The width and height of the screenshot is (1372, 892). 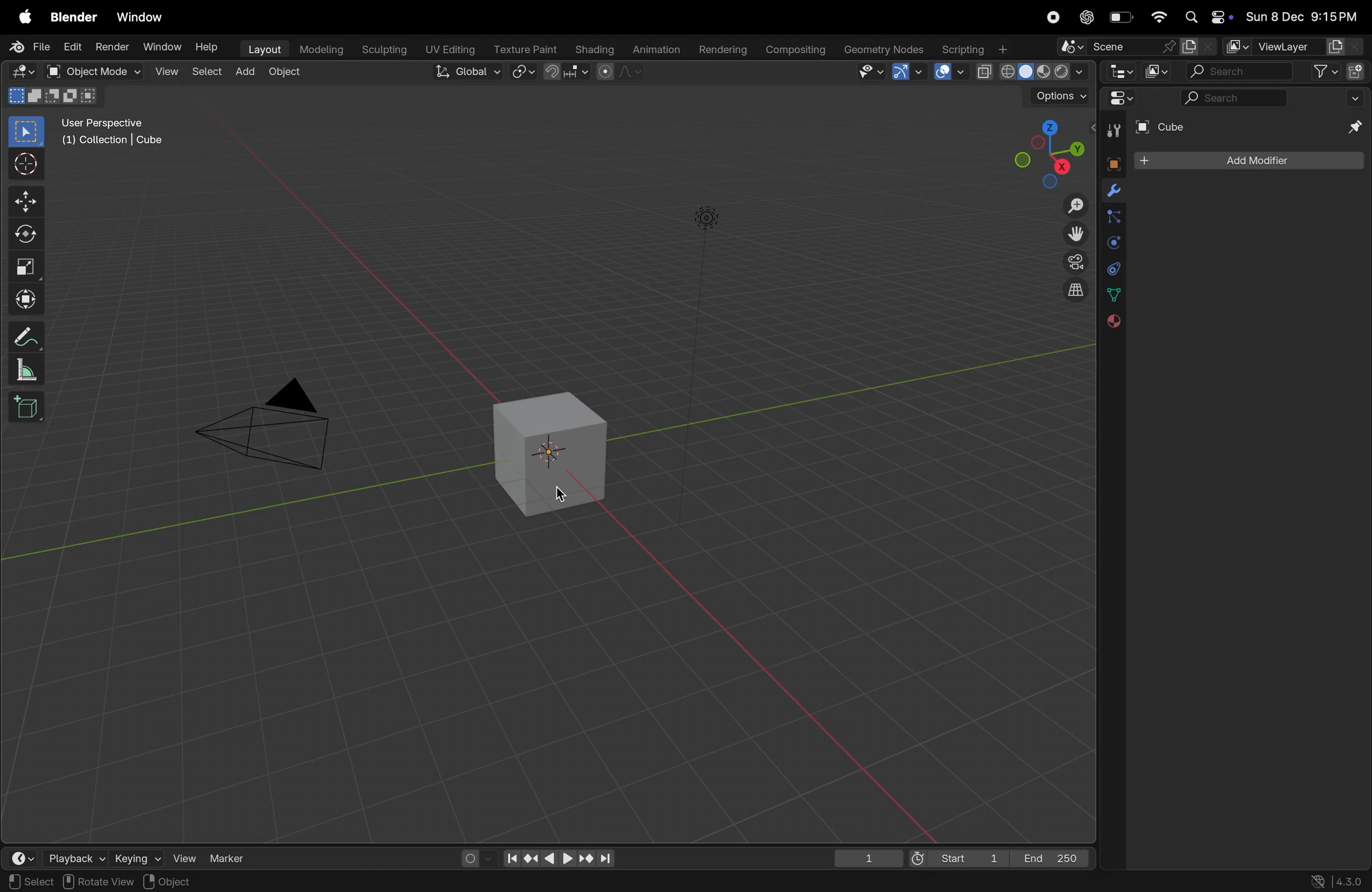 What do you see at coordinates (26, 236) in the screenshot?
I see `rotate` at bounding box center [26, 236].